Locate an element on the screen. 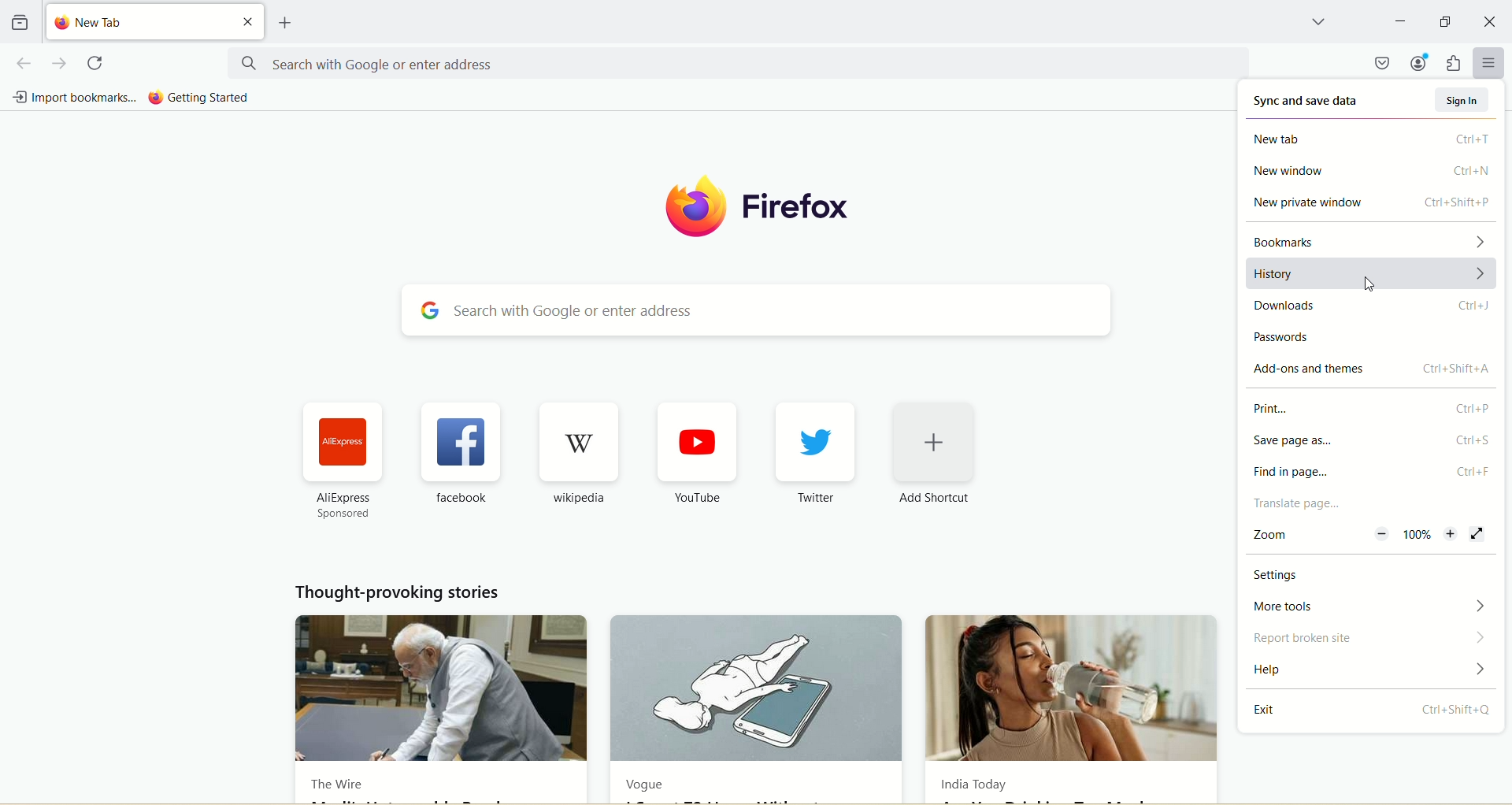 The height and width of the screenshot is (805, 1512). add ons and themes is located at coordinates (1372, 369).